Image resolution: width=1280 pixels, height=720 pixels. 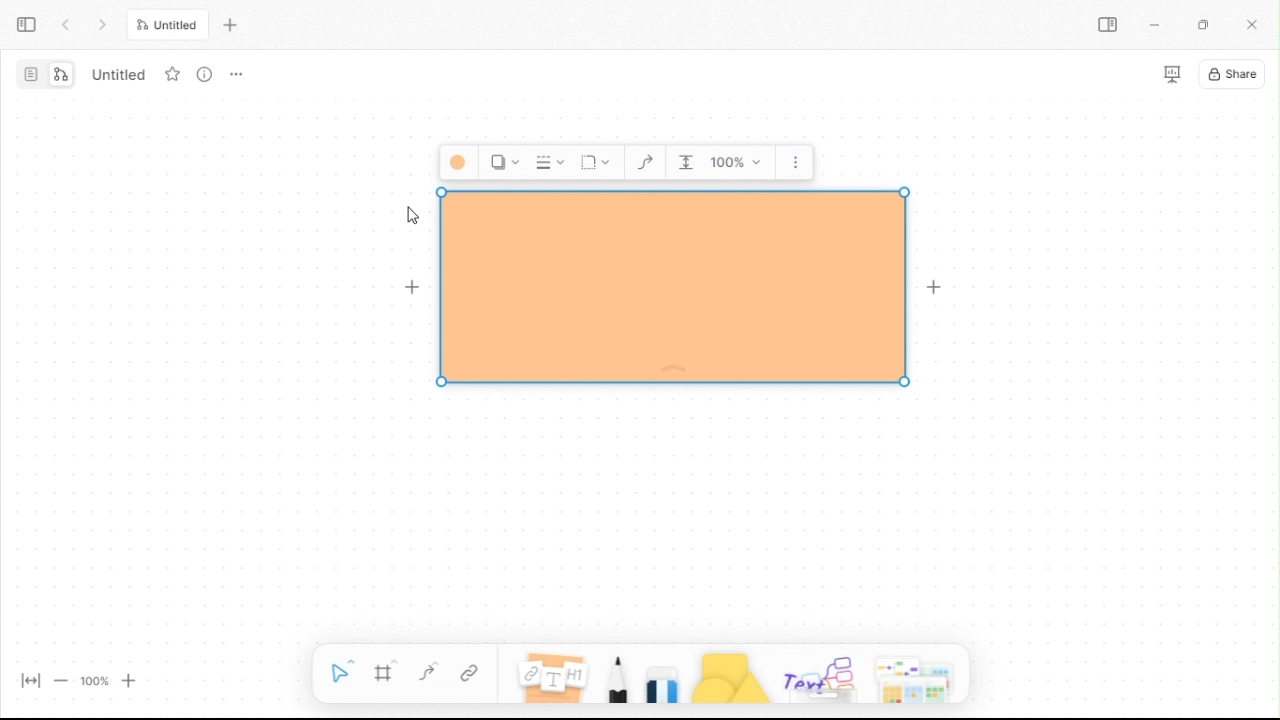 I want to click on Background color, so click(x=458, y=163).